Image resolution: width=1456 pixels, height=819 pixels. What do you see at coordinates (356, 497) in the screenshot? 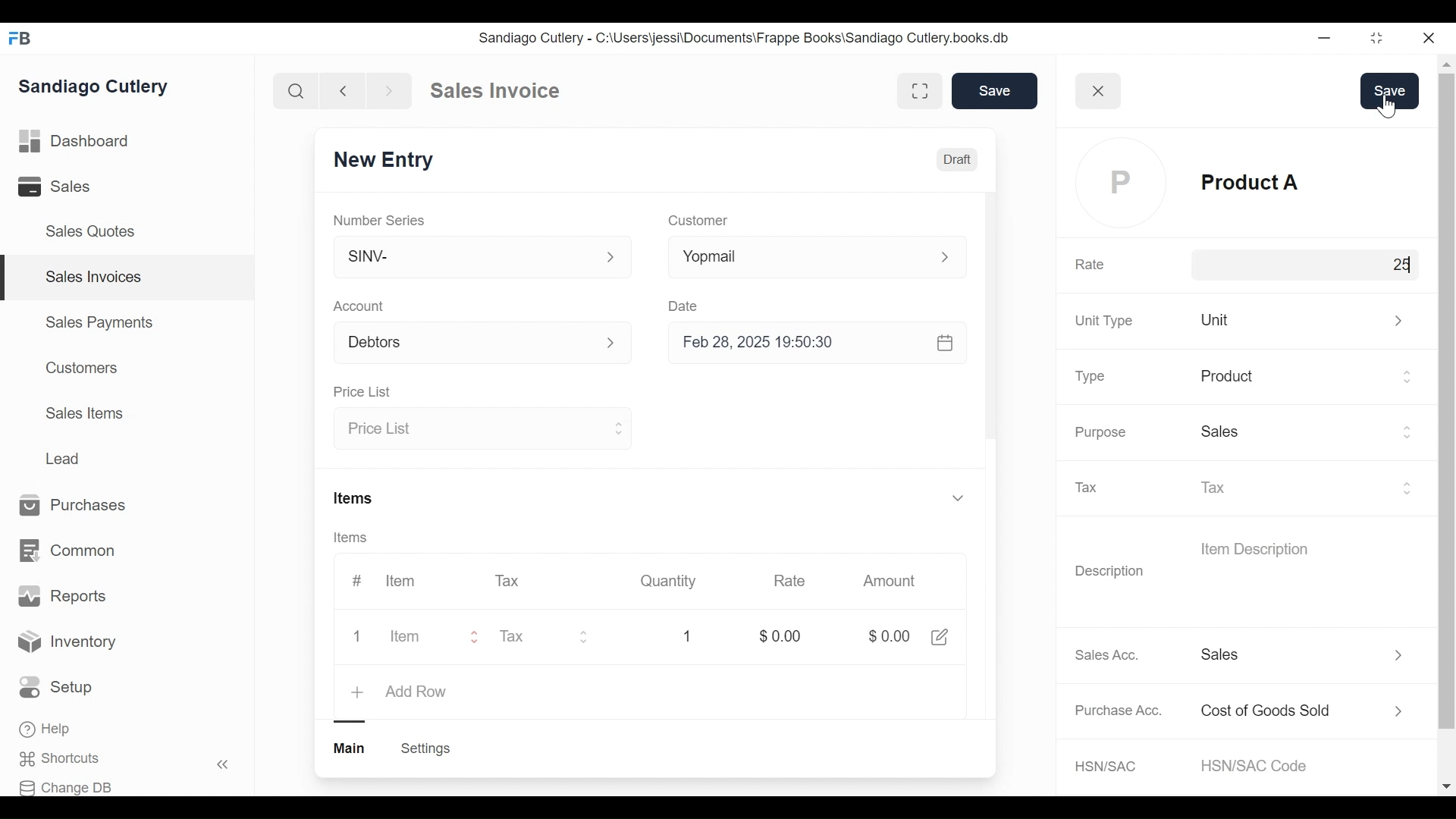
I see `Items` at bounding box center [356, 497].